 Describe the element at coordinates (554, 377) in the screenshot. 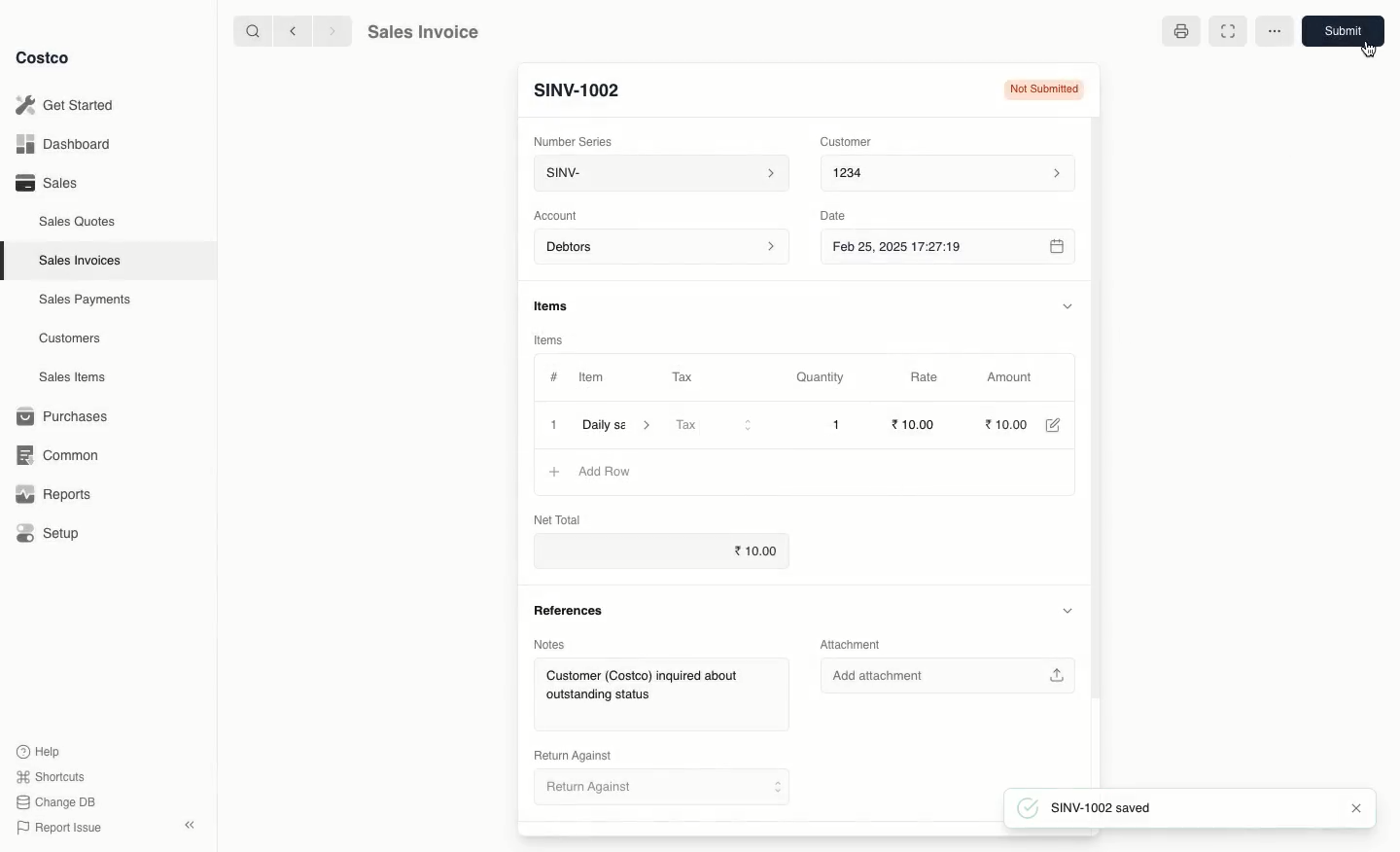

I see `#` at that location.